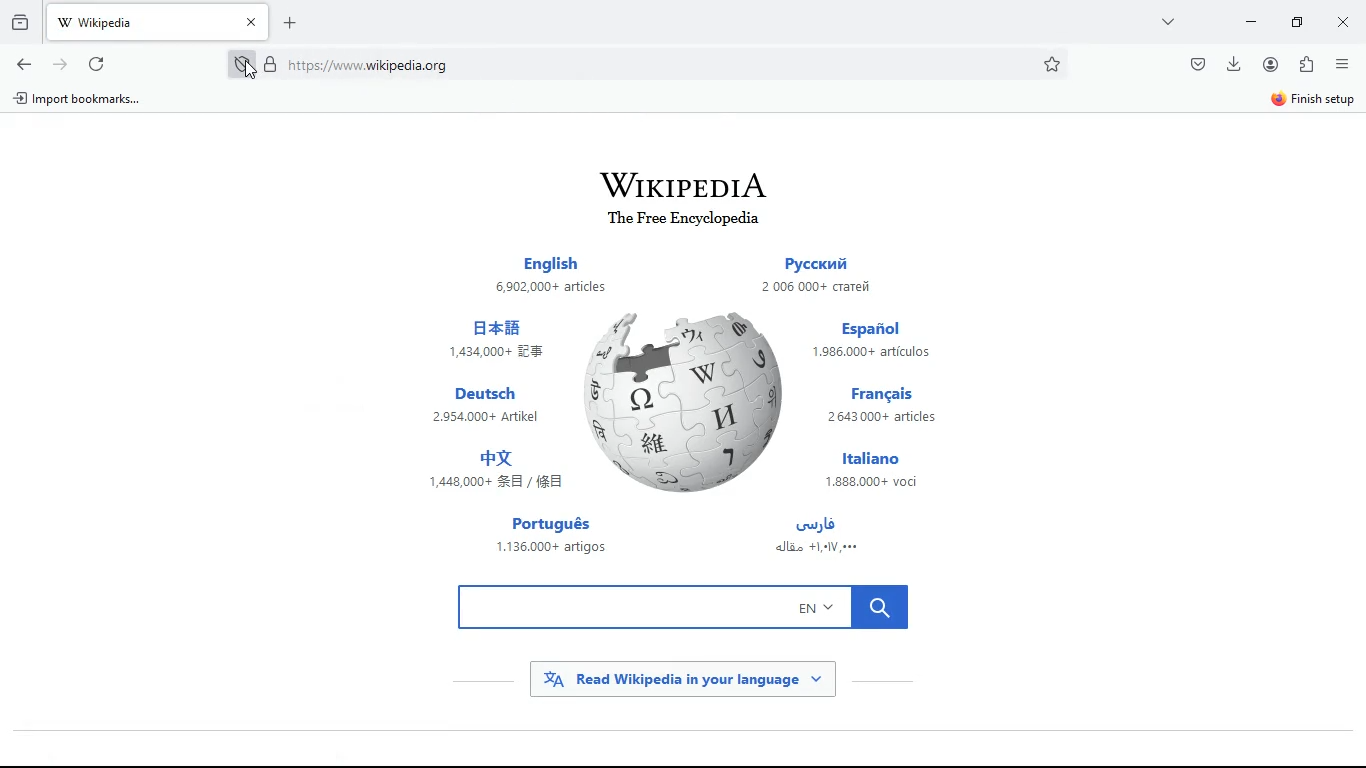  I want to click on italiano, so click(882, 470).